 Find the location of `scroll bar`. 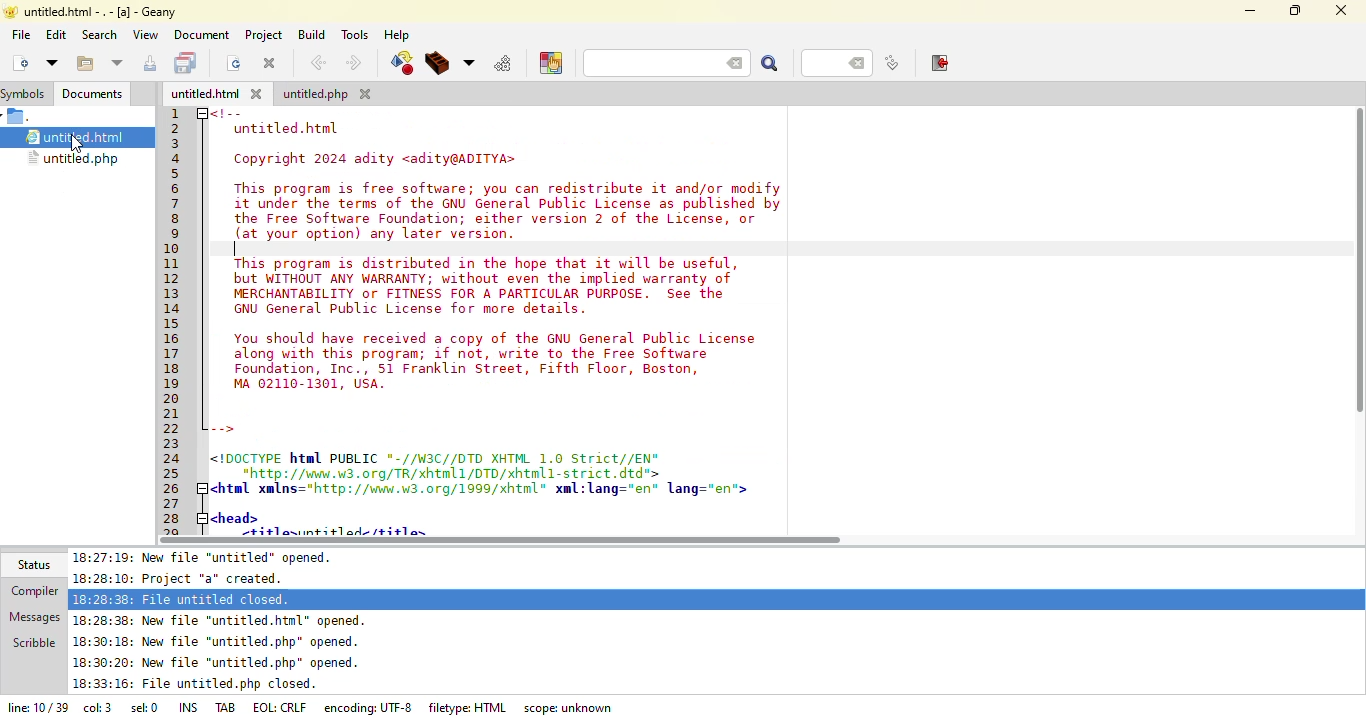

scroll bar is located at coordinates (506, 540).